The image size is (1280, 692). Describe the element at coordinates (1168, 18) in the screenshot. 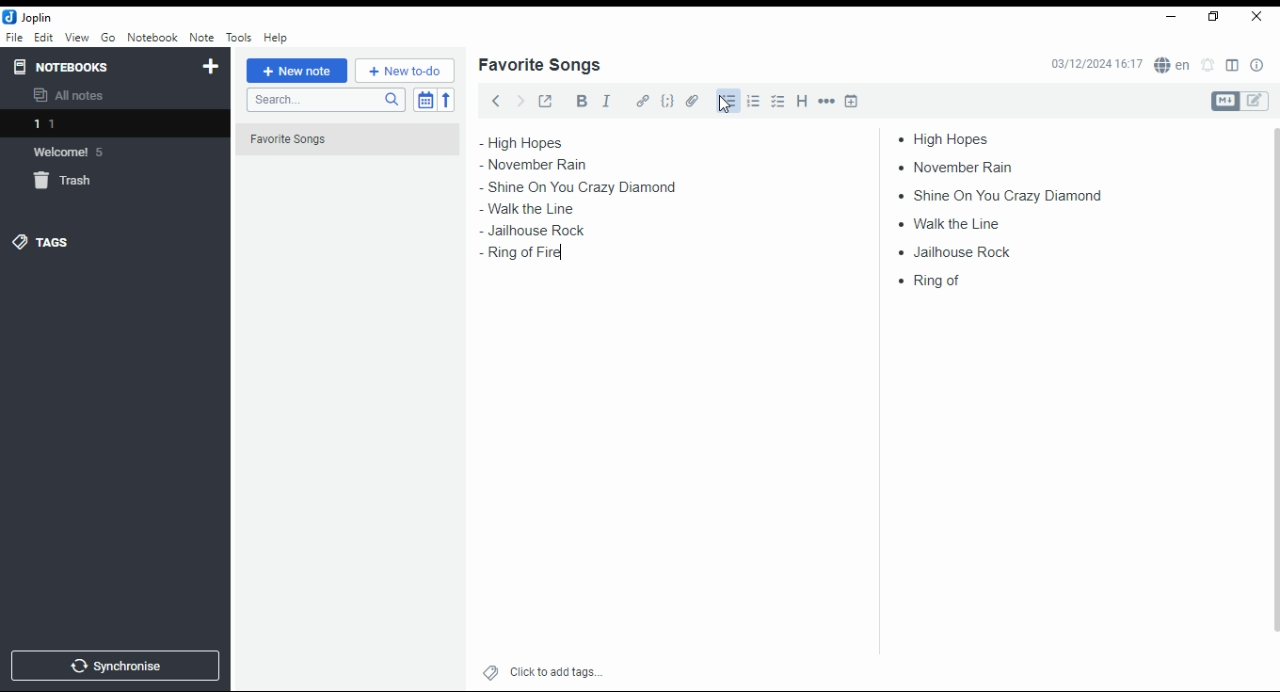

I see `minimize` at that location.